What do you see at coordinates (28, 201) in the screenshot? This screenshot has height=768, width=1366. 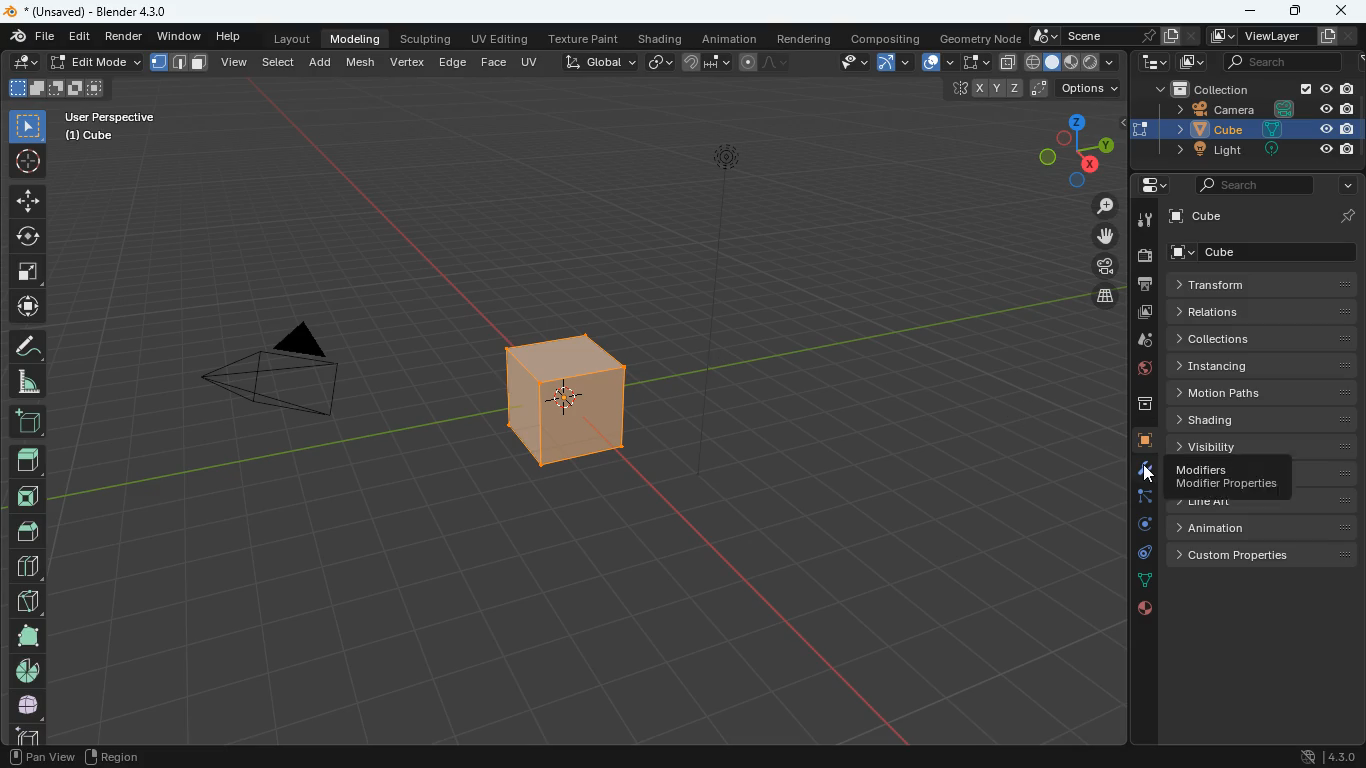 I see `move` at bounding box center [28, 201].